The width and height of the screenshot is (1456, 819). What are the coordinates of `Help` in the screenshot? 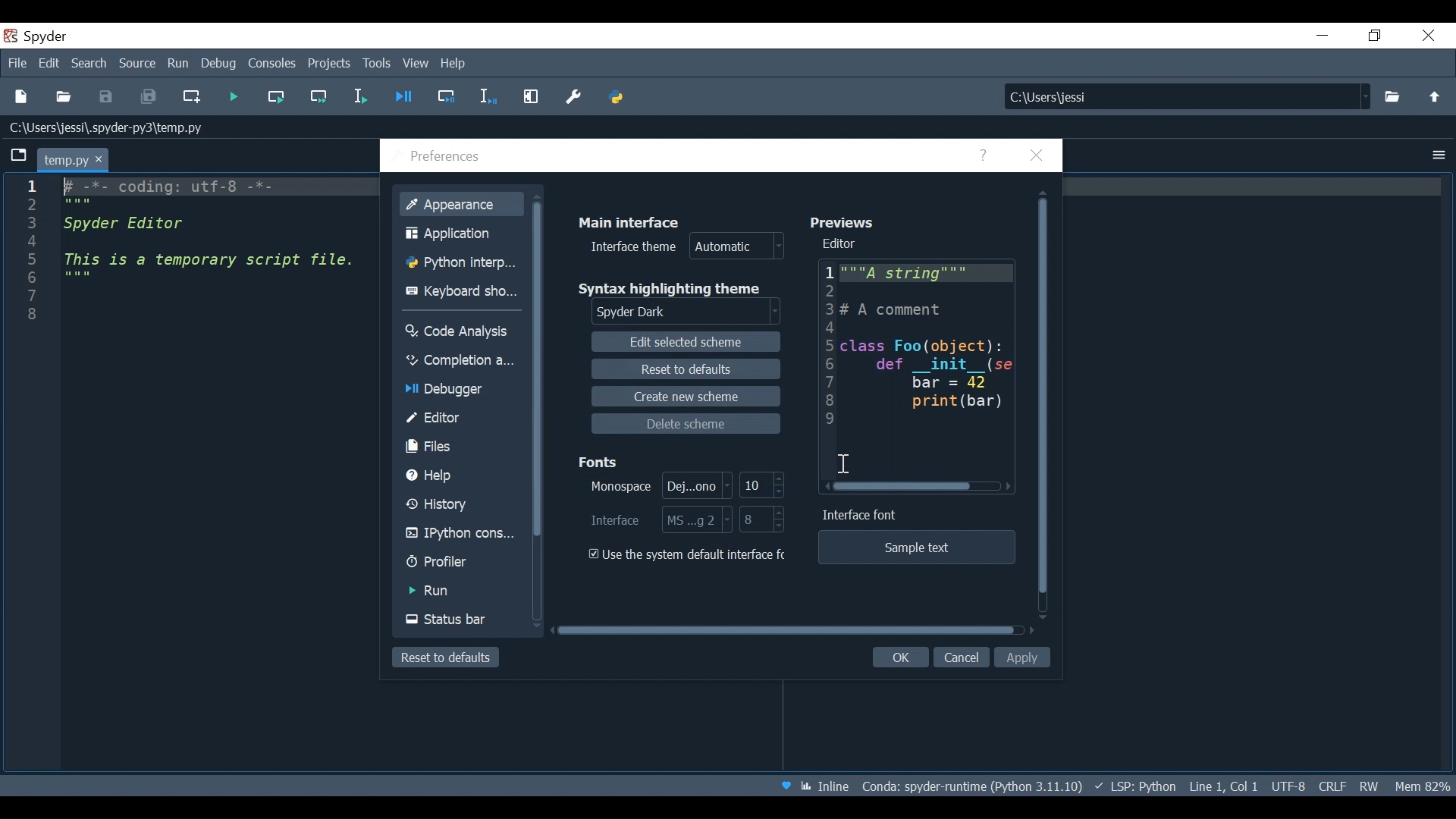 It's located at (462, 476).